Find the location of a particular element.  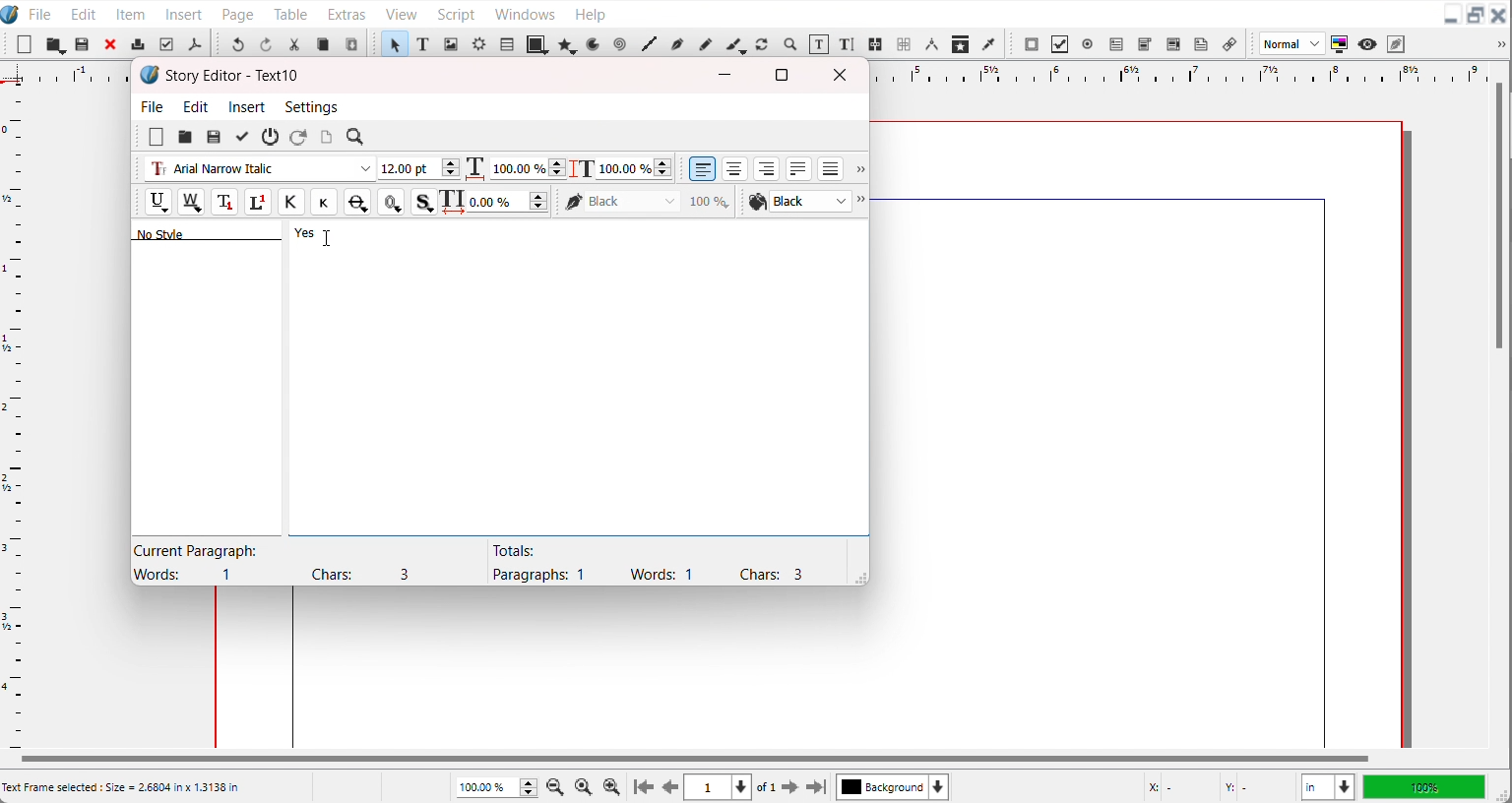

PDF text field is located at coordinates (1115, 45).